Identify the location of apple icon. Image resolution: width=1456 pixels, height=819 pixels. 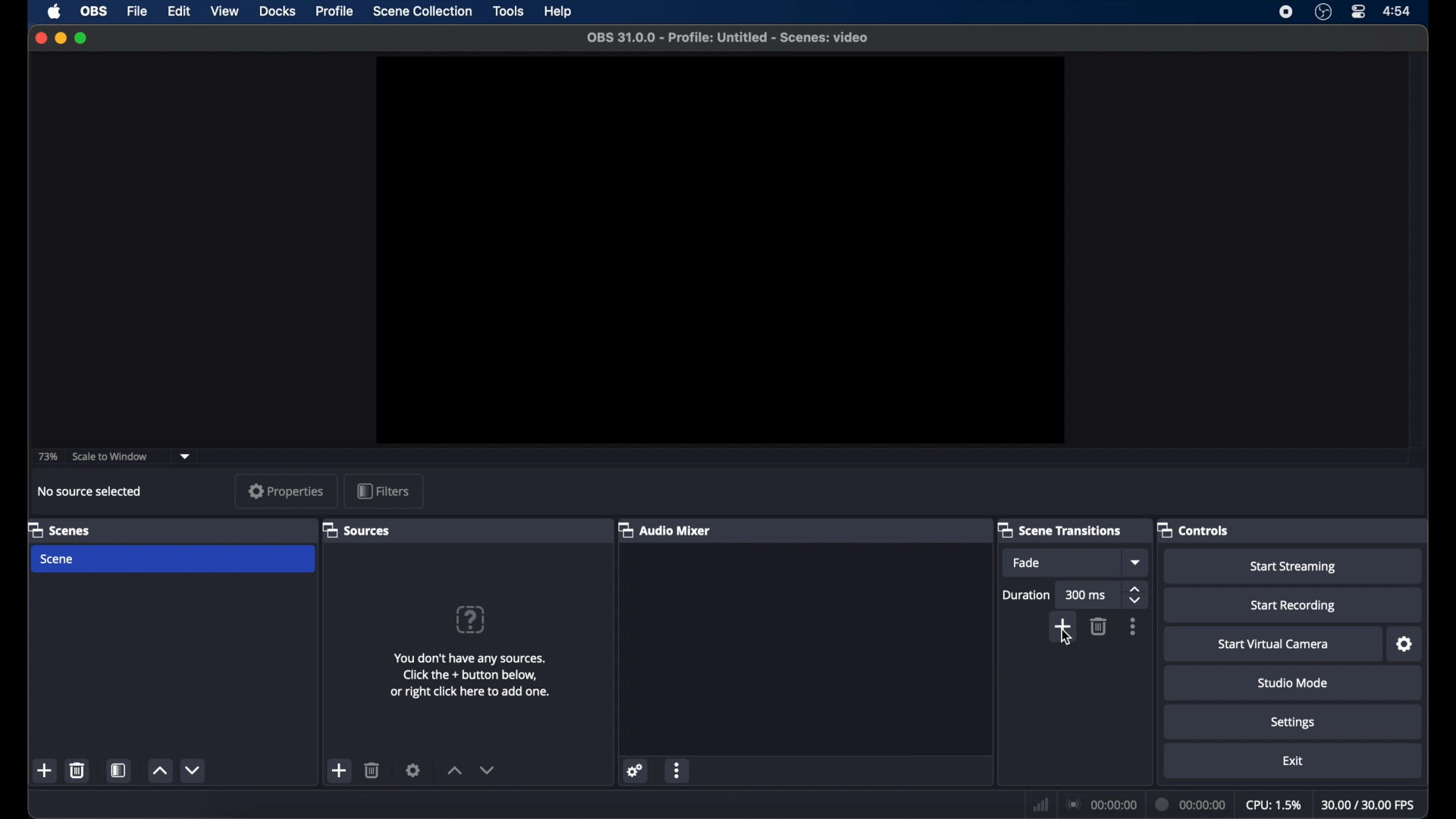
(55, 11).